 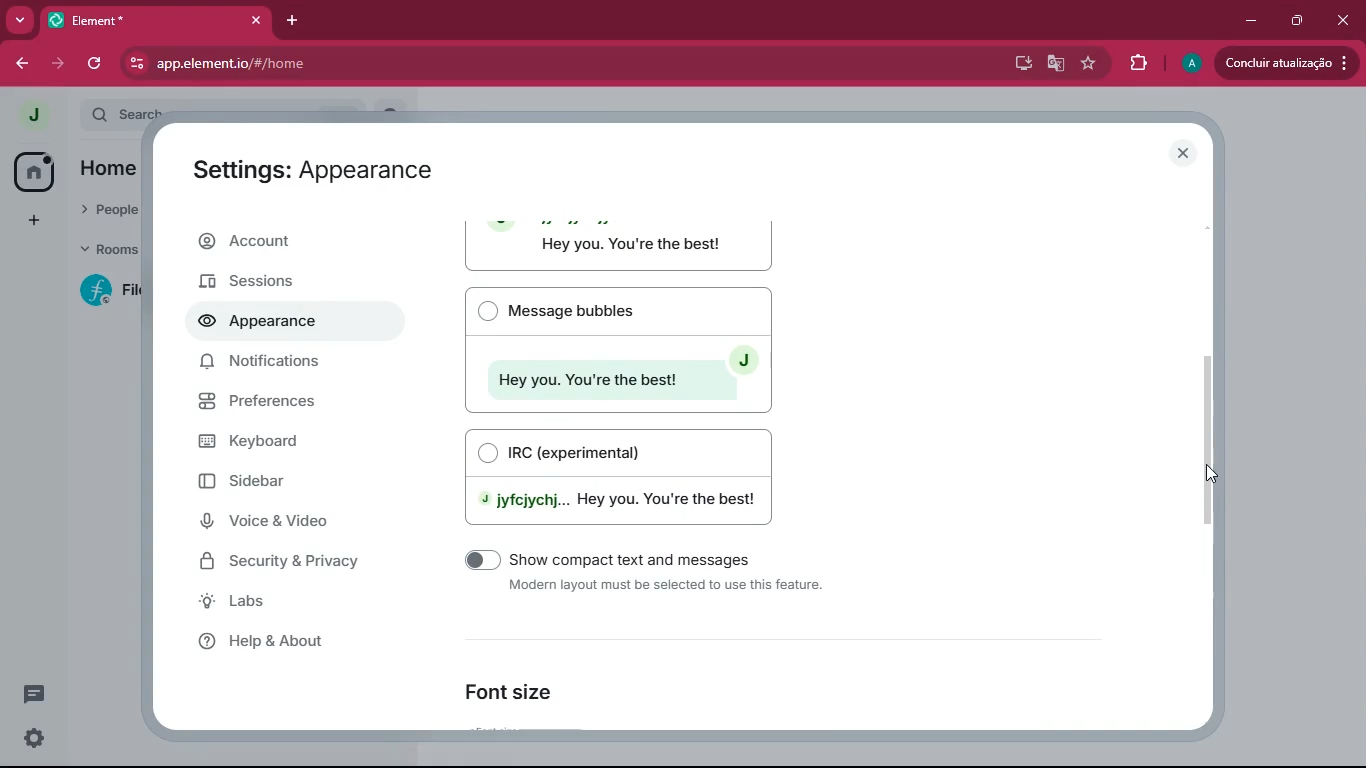 I want to click on app.elementio/#/home, so click(x=437, y=63).